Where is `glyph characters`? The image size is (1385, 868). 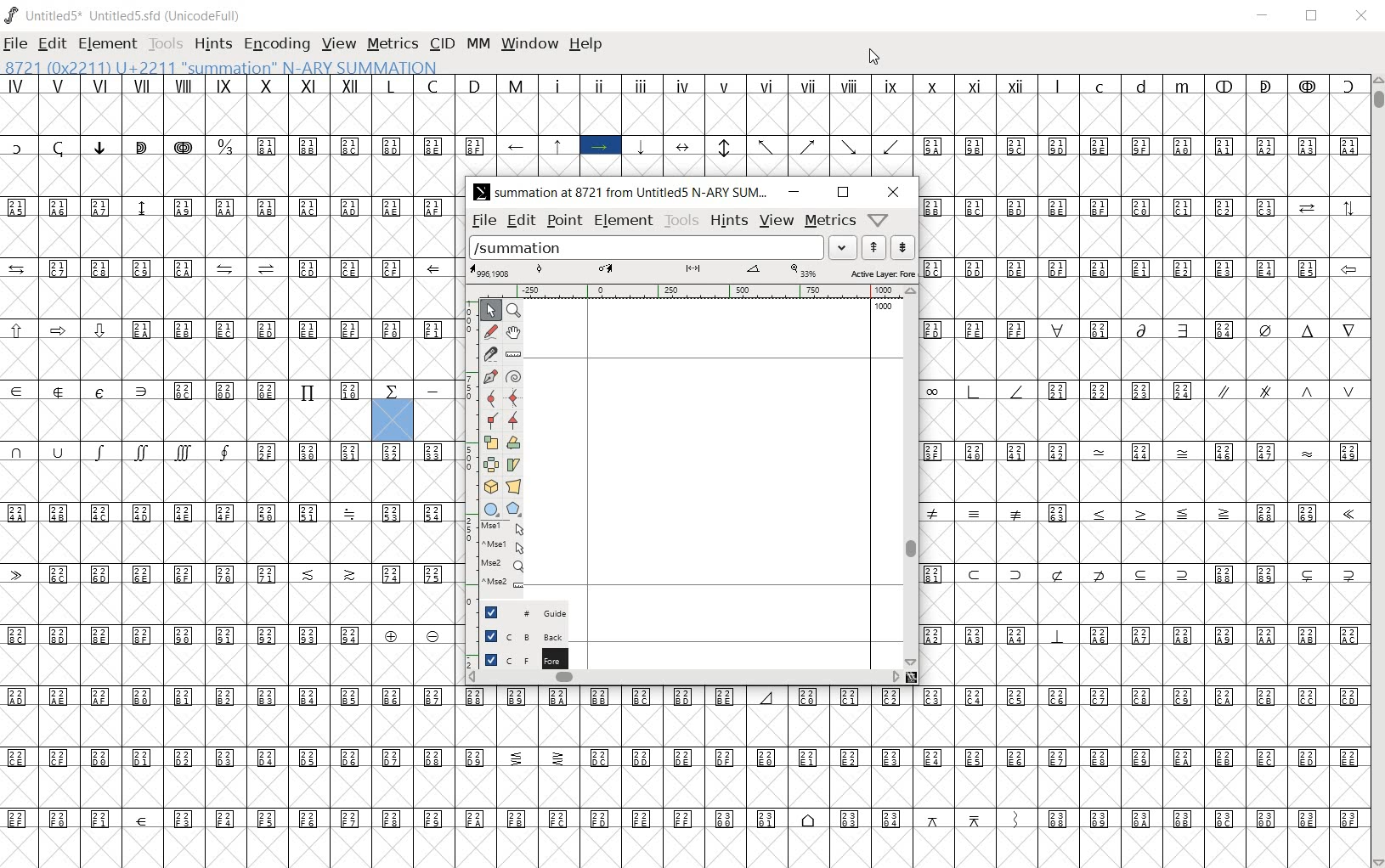
glyph characters is located at coordinates (911, 126).